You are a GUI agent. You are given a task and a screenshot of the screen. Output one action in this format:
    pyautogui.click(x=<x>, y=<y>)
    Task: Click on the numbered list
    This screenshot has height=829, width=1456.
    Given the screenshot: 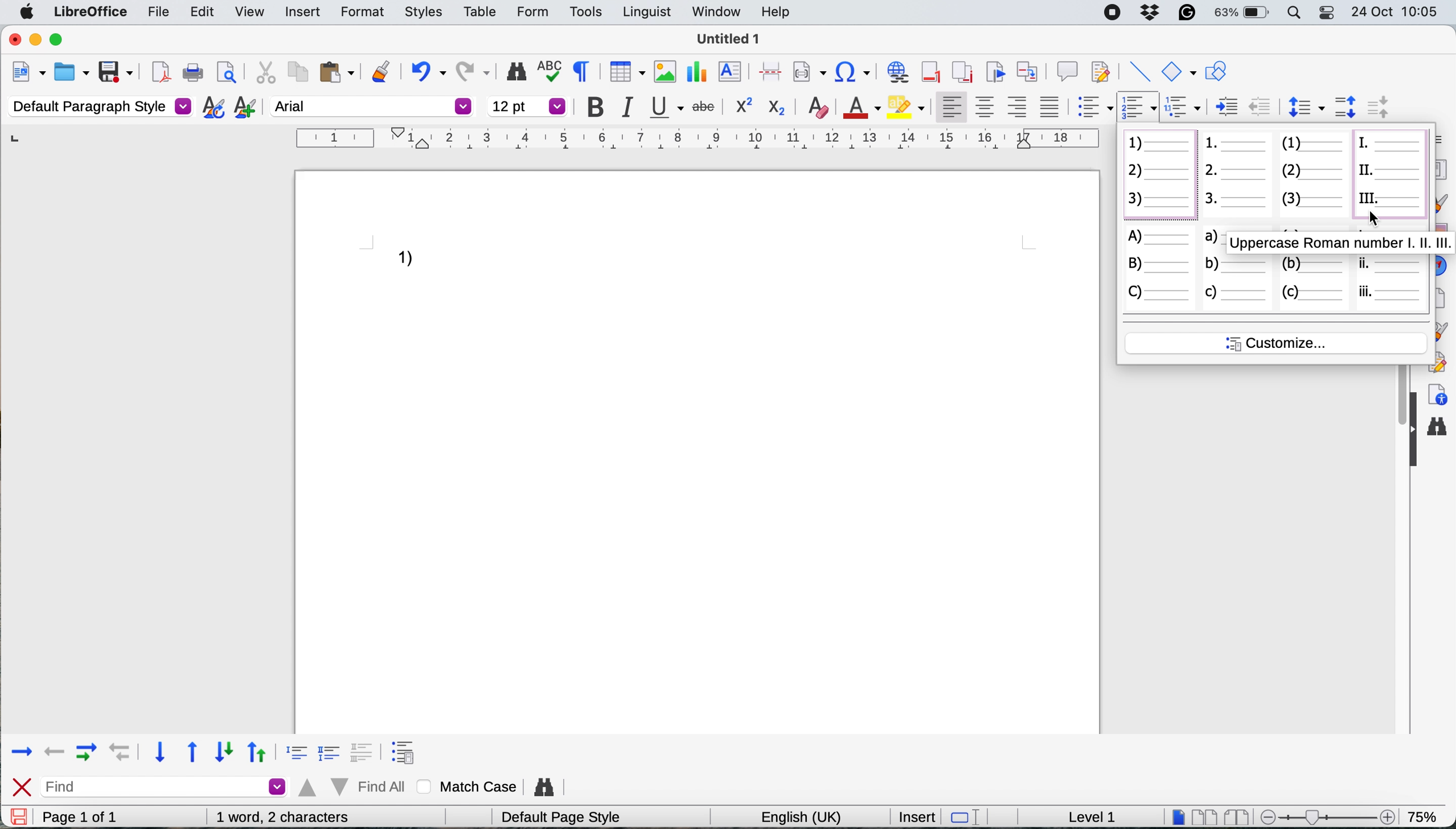 What is the action you would take?
    pyautogui.click(x=1158, y=177)
    